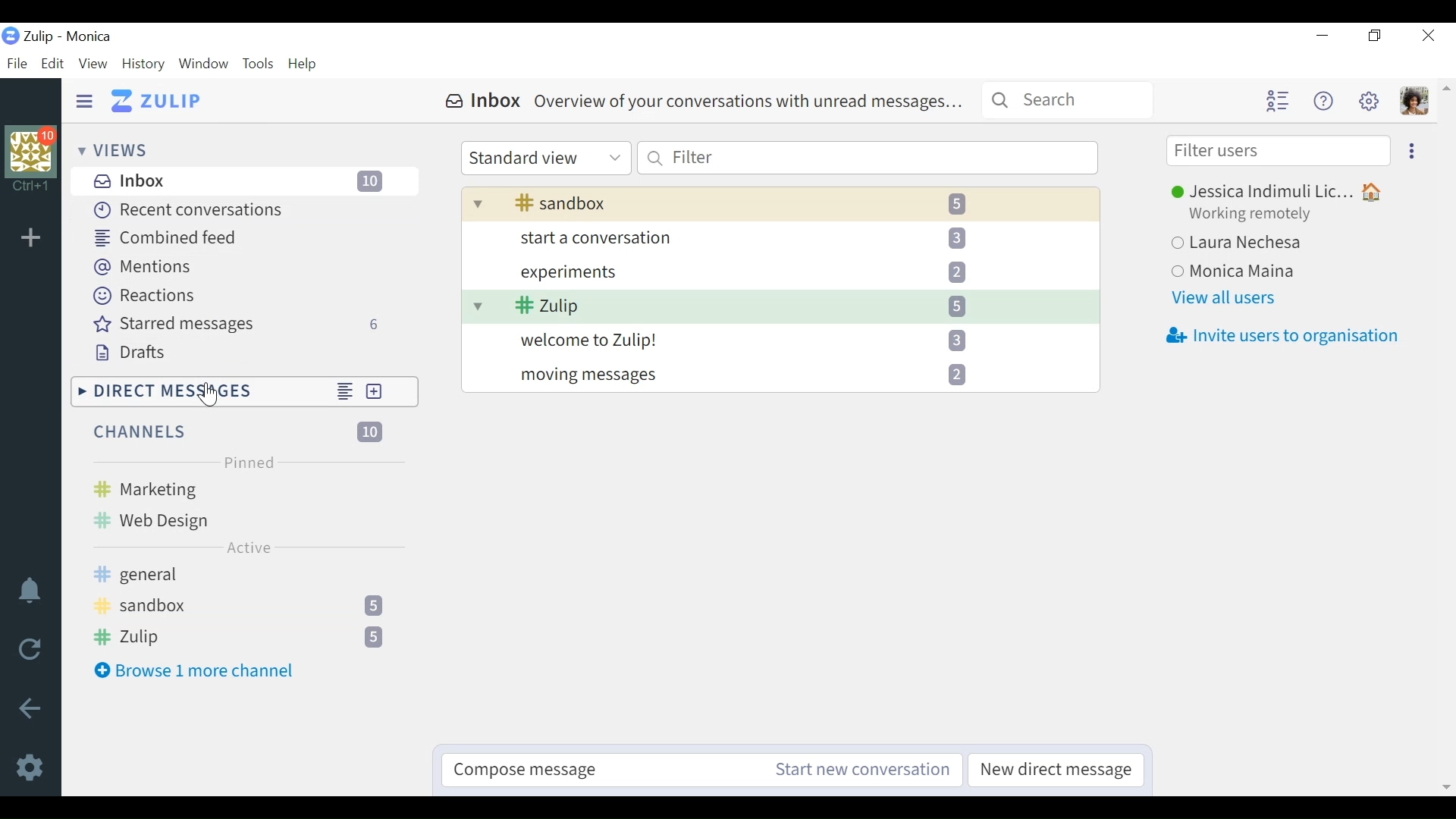  What do you see at coordinates (29, 648) in the screenshot?
I see `Reload` at bounding box center [29, 648].